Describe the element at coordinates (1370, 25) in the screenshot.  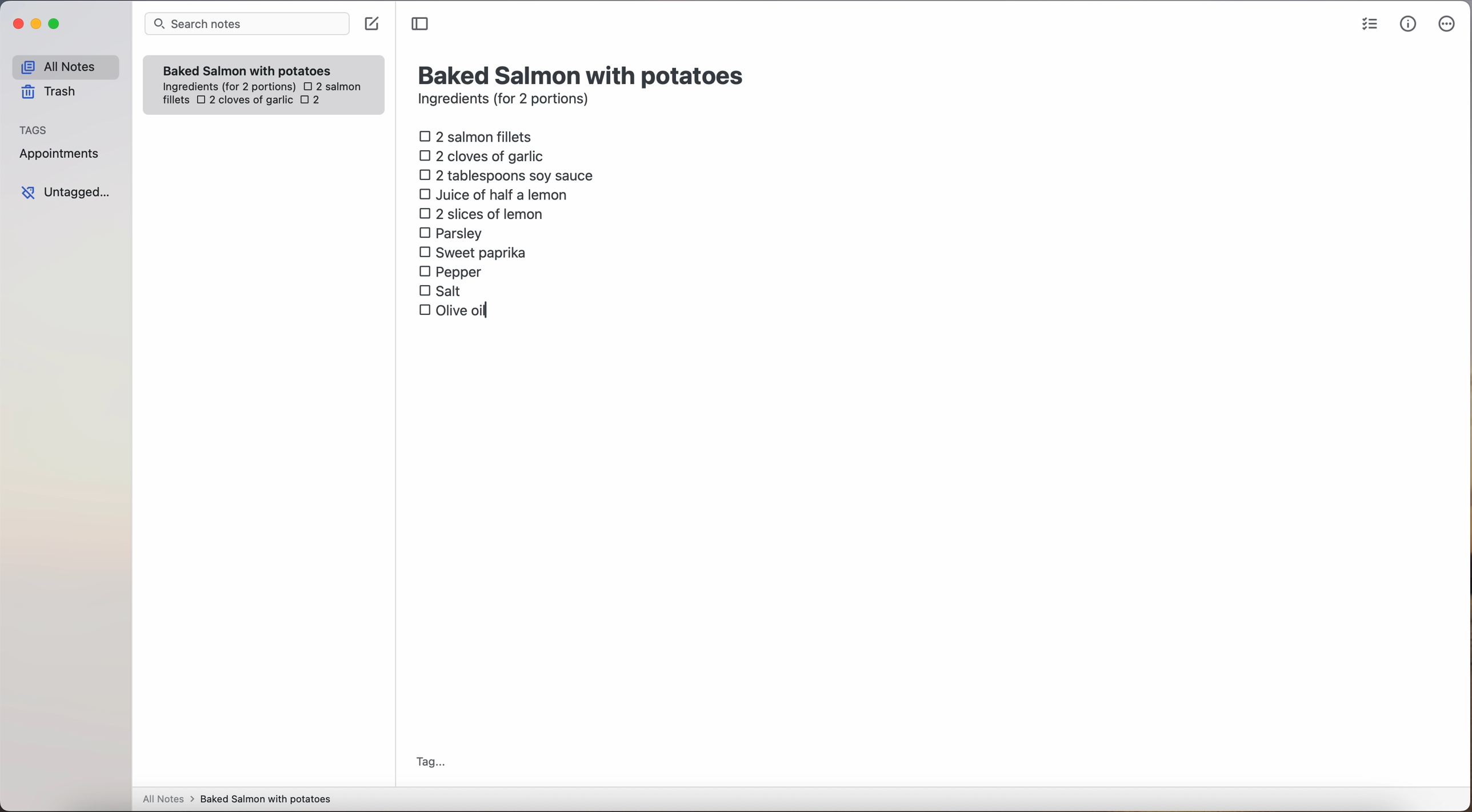
I see `check list` at that location.